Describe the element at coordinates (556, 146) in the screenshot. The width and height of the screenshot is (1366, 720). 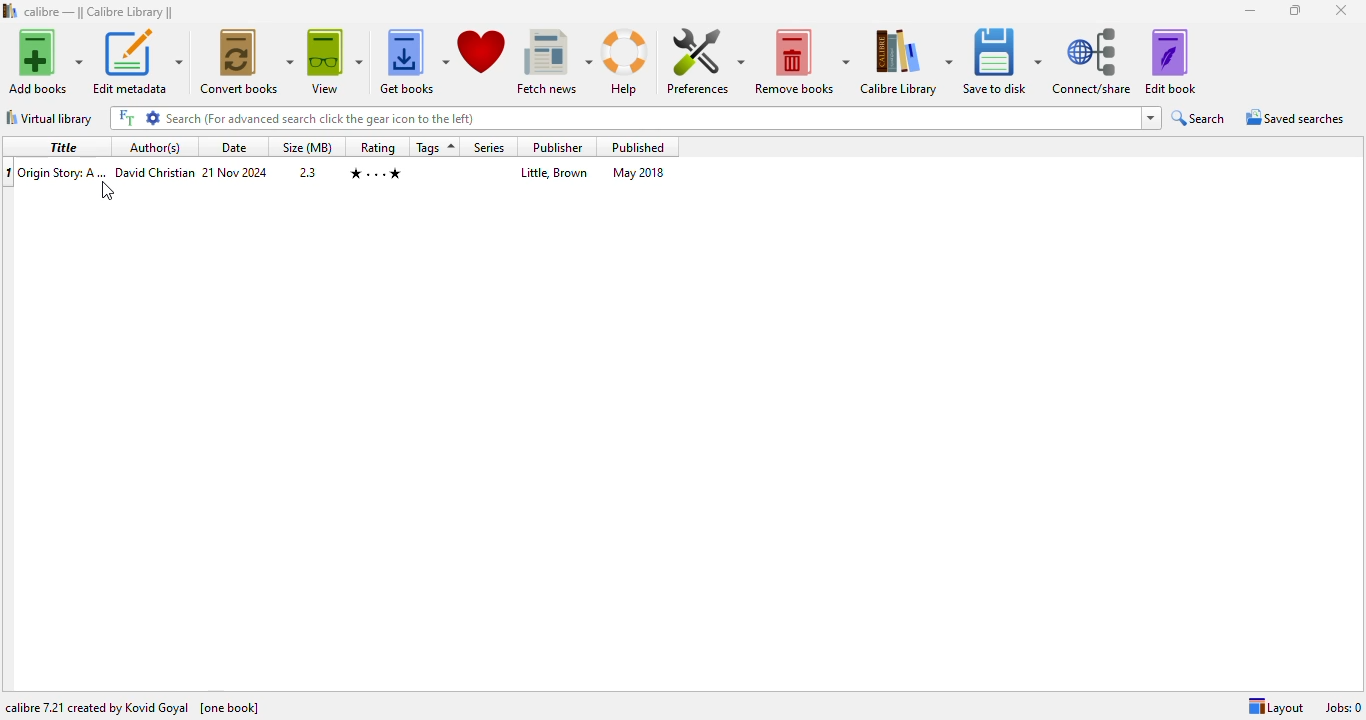
I see `publisher` at that location.